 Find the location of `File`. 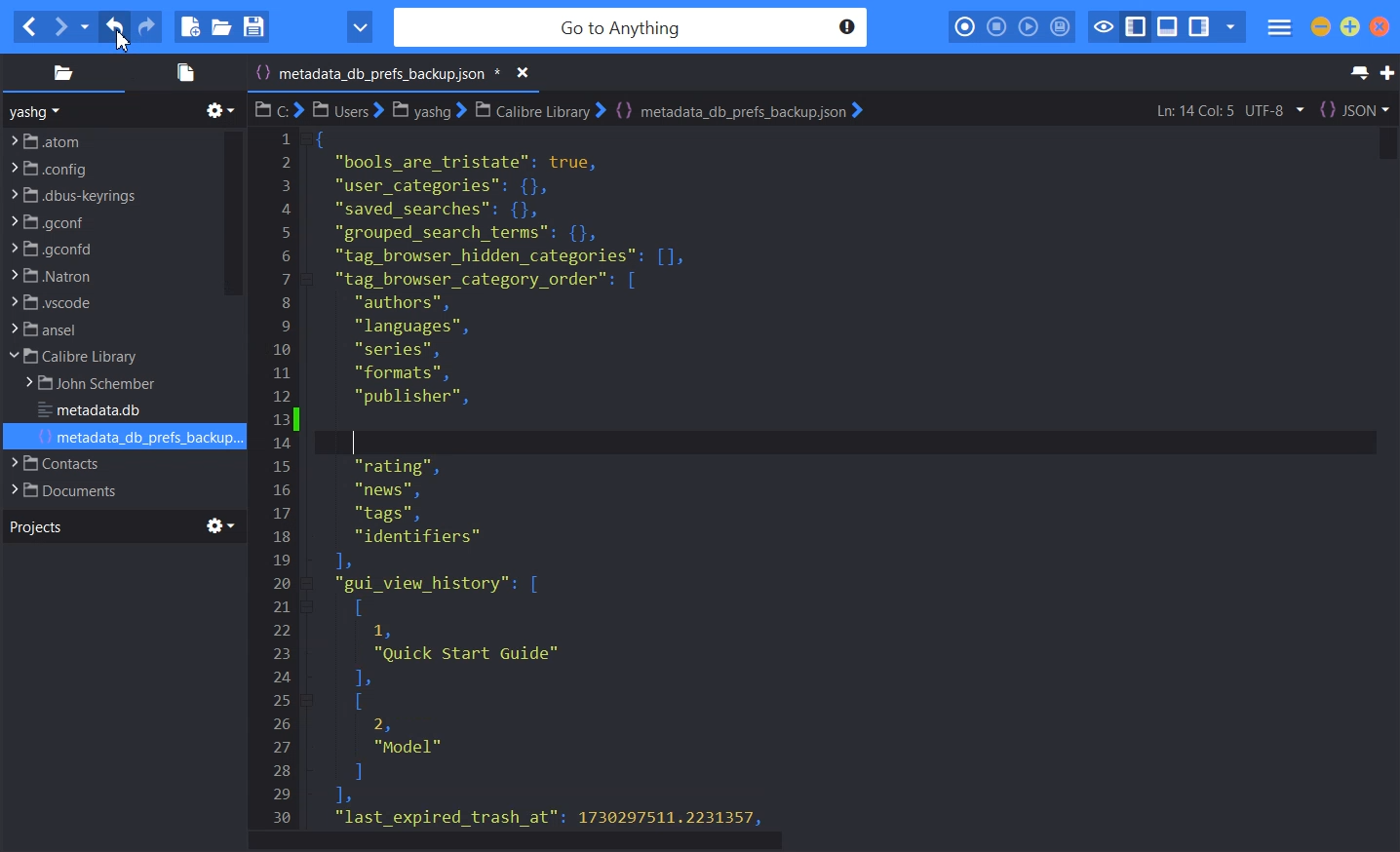

File is located at coordinates (108, 275).